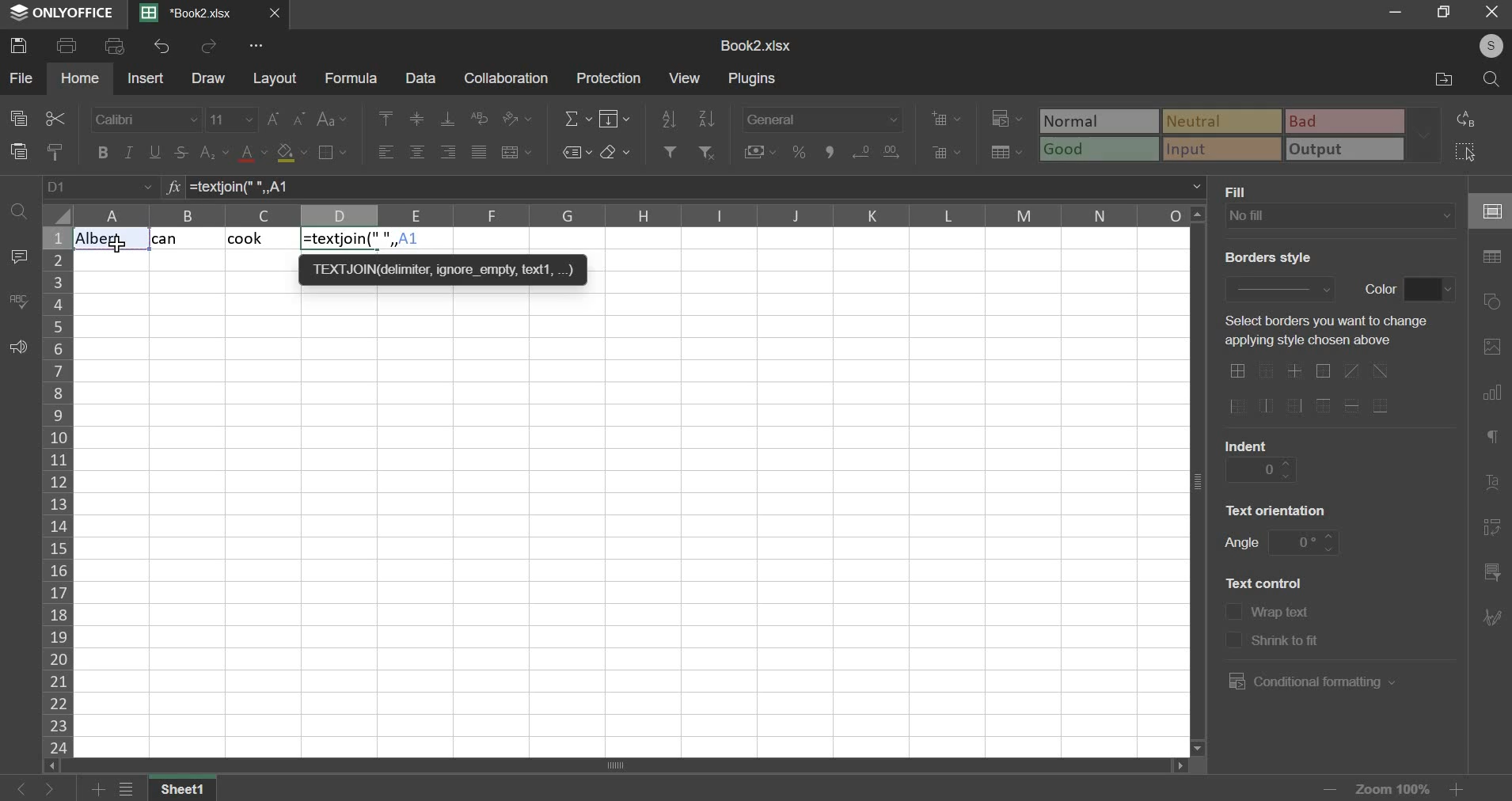 The width and height of the screenshot is (1512, 801). What do you see at coordinates (1340, 216) in the screenshot?
I see `fill type` at bounding box center [1340, 216].